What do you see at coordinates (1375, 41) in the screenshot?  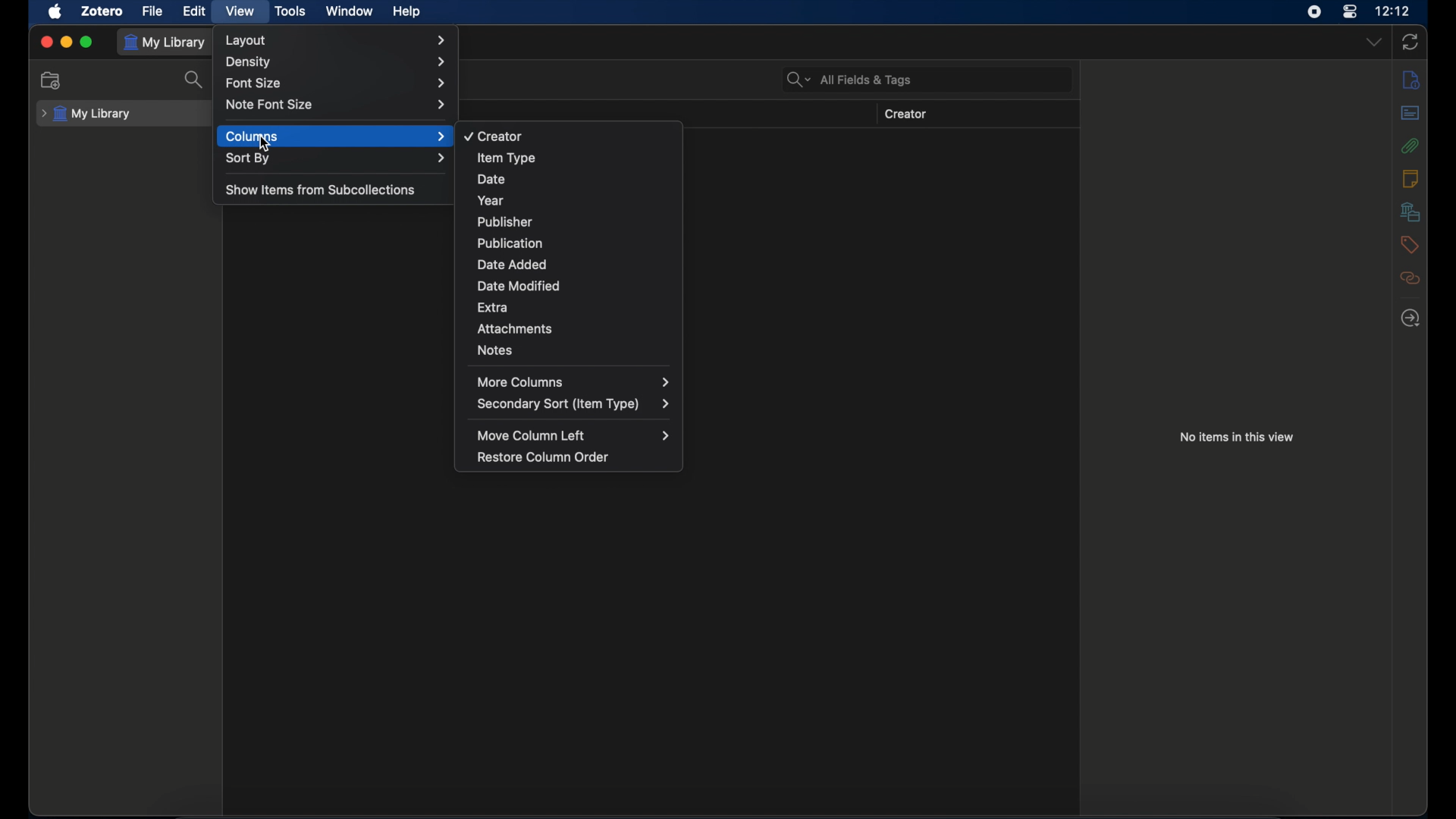 I see `drop-down` at bounding box center [1375, 41].